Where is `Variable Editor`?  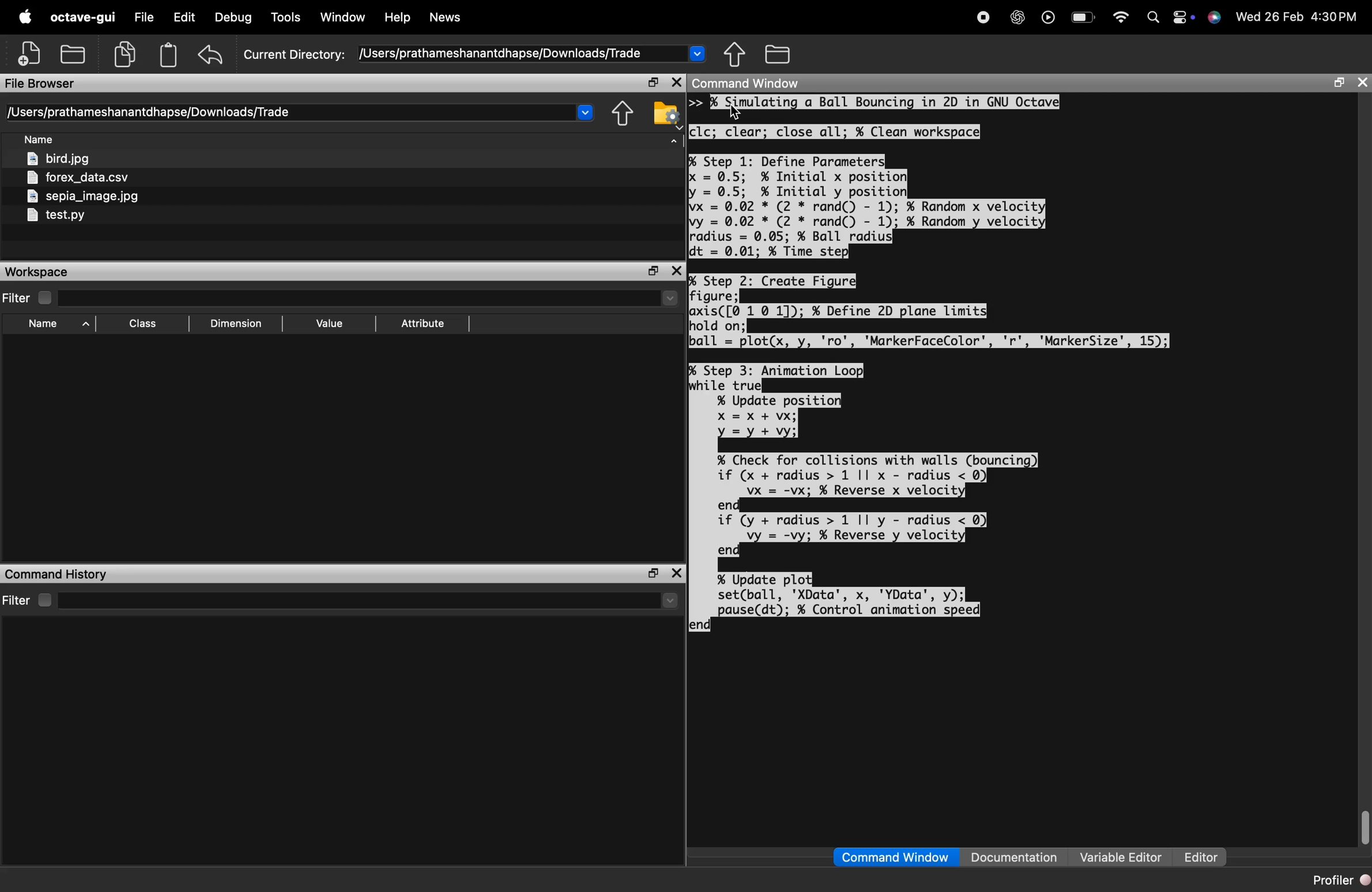 Variable Editor is located at coordinates (1121, 856).